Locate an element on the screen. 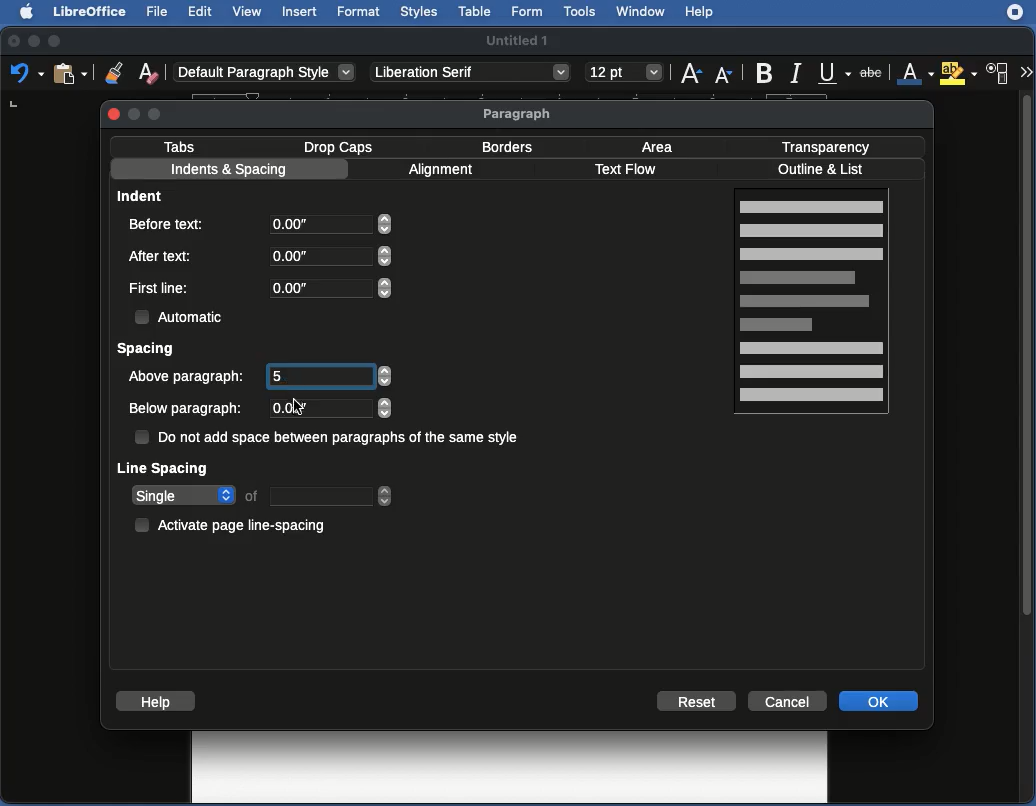 This screenshot has height=806, width=1036. Paragraph is located at coordinates (519, 114).